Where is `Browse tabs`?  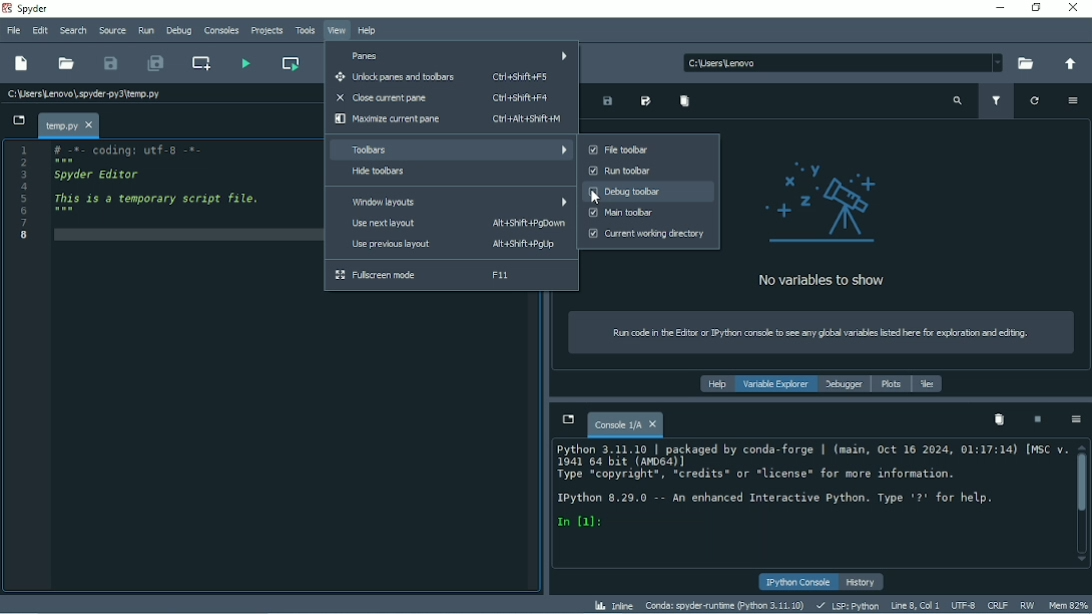 Browse tabs is located at coordinates (18, 121).